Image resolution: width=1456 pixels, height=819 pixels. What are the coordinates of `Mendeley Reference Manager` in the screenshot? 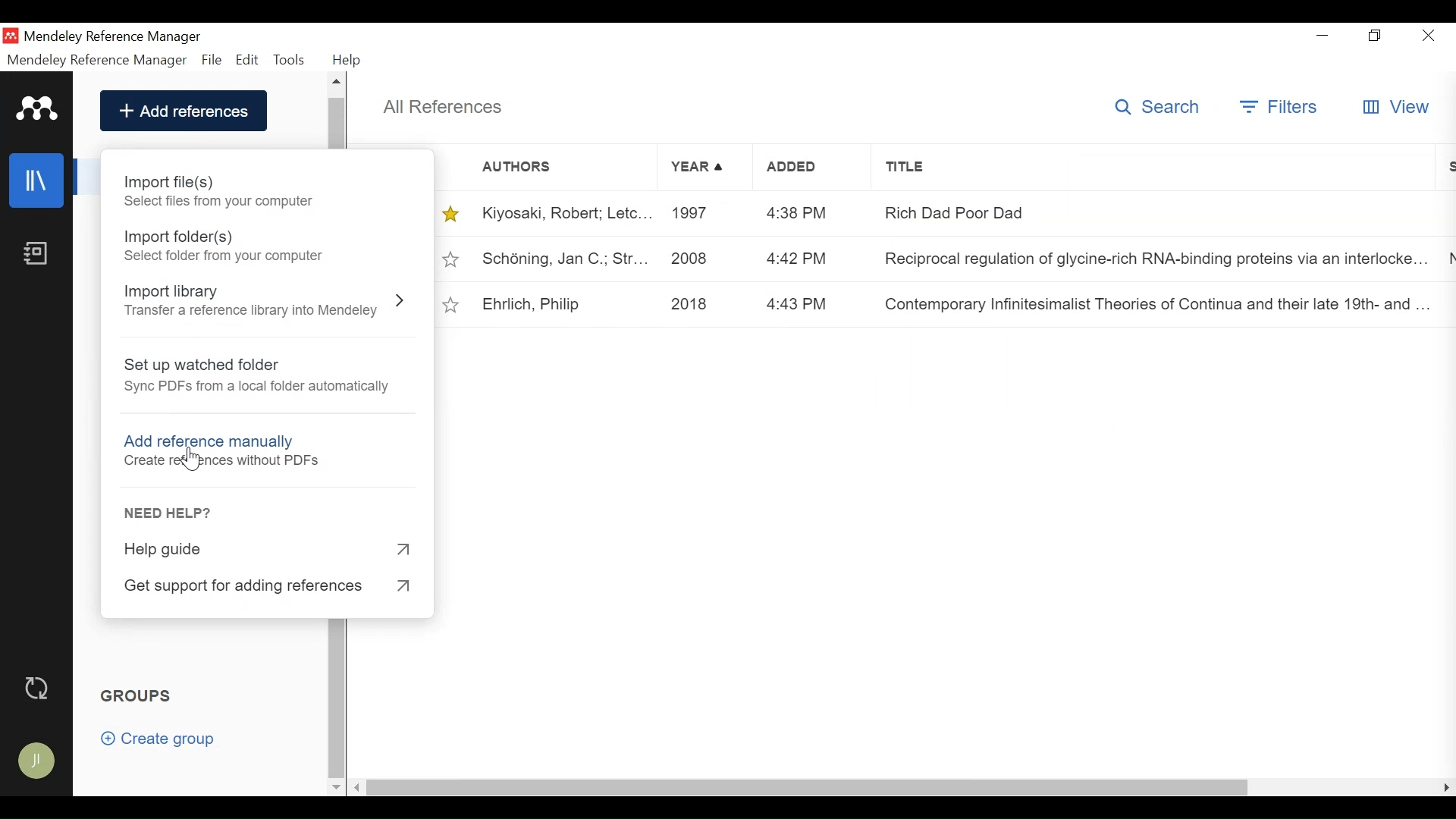 It's located at (98, 60).